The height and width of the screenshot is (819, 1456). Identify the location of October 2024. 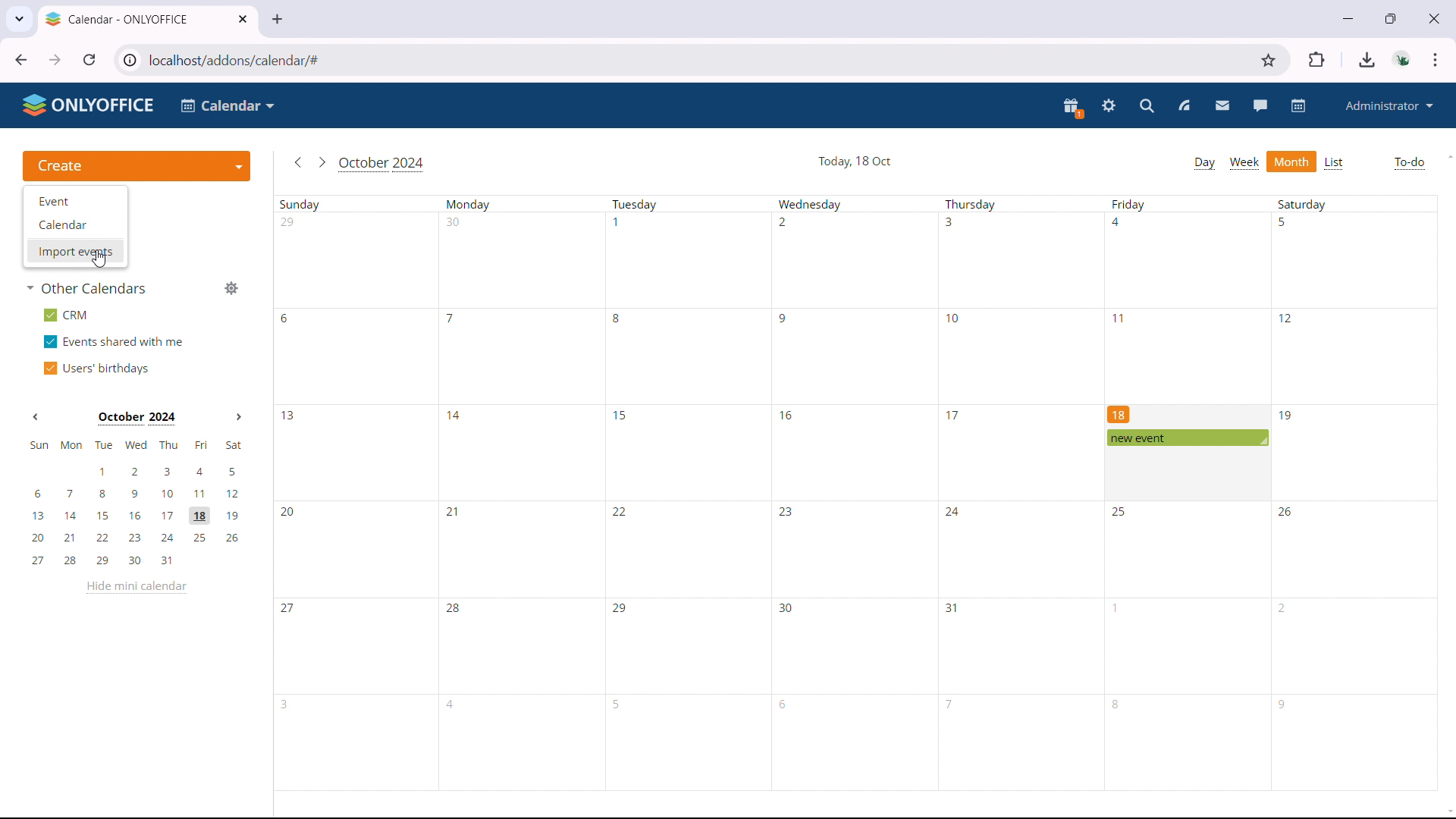
(384, 165).